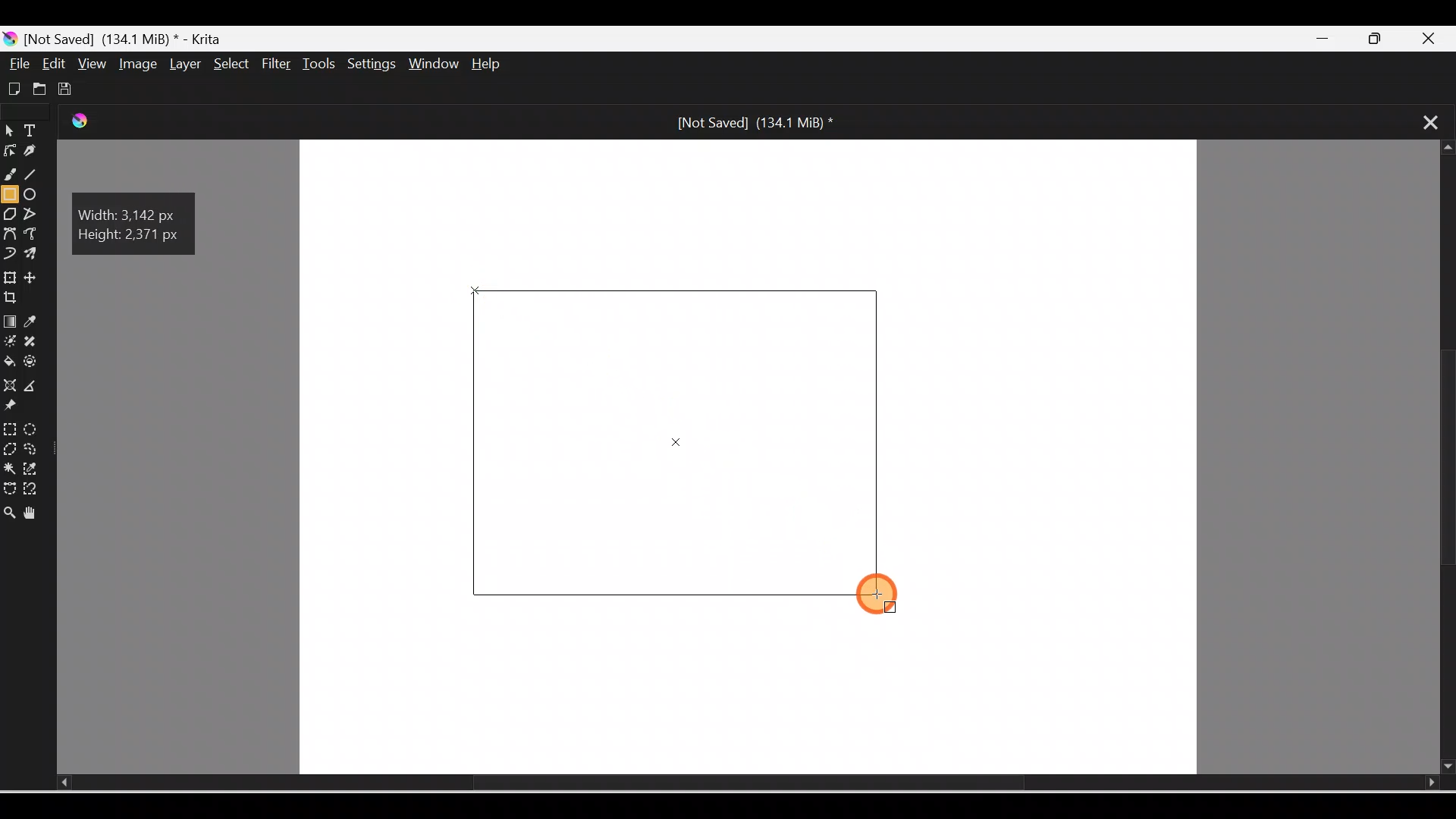 The height and width of the screenshot is (819, 1456). Describe the element at coordinates (121, 37) in the screenshot. I see `[Not Saved] (171.2 MiB) * - Krita` at that location.